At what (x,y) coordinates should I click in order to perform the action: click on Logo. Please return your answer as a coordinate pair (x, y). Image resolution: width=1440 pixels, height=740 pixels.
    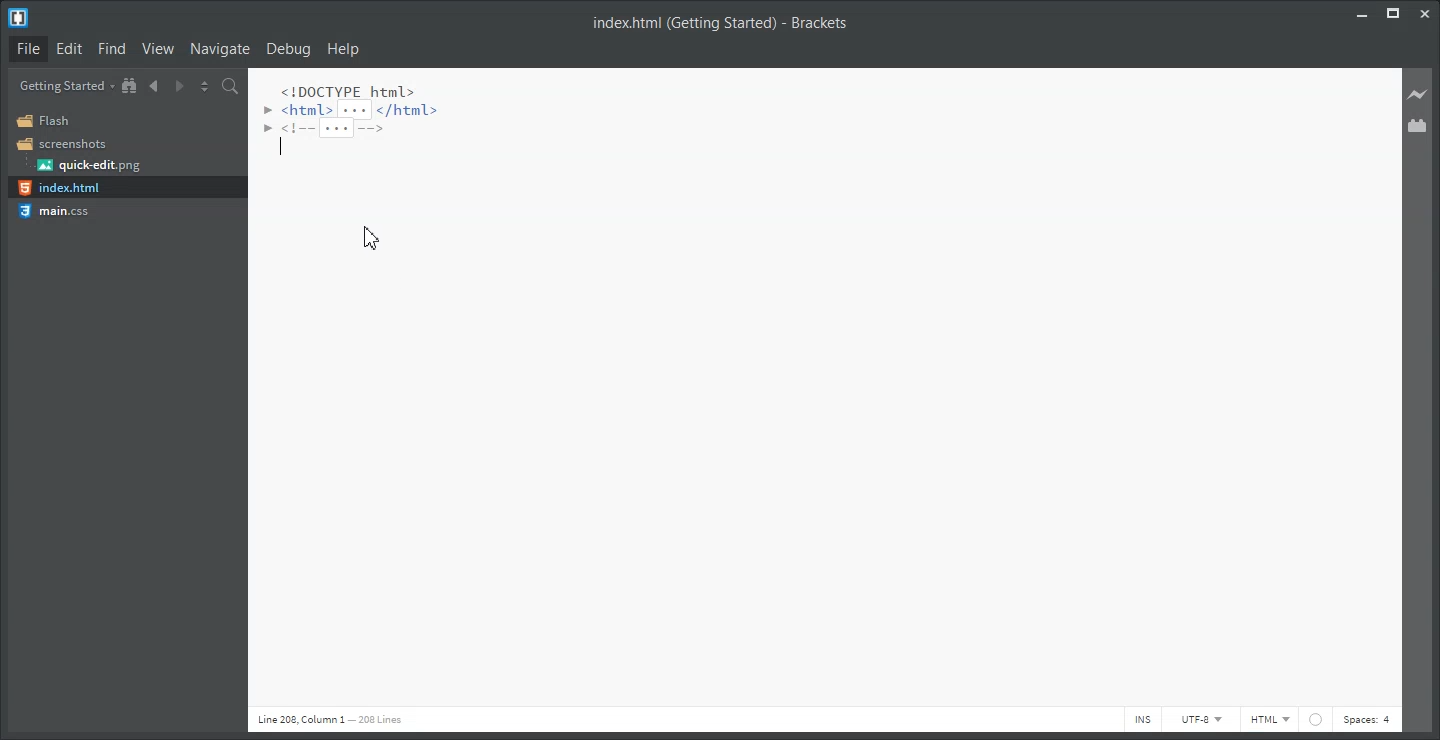
    Looking at the image, I should click on (18, 18).